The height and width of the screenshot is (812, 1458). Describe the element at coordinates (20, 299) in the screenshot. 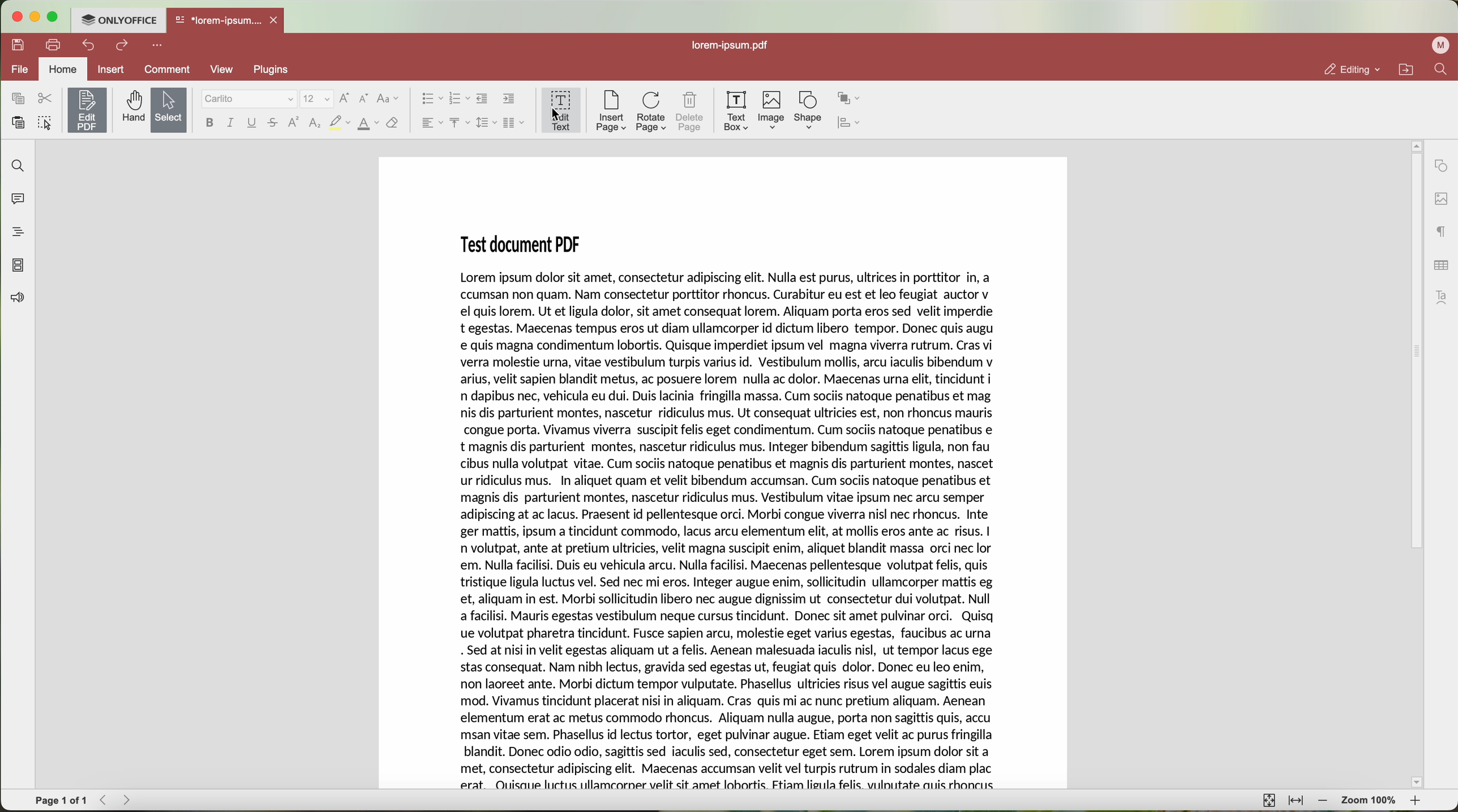

I see `feedback & support` at that location.